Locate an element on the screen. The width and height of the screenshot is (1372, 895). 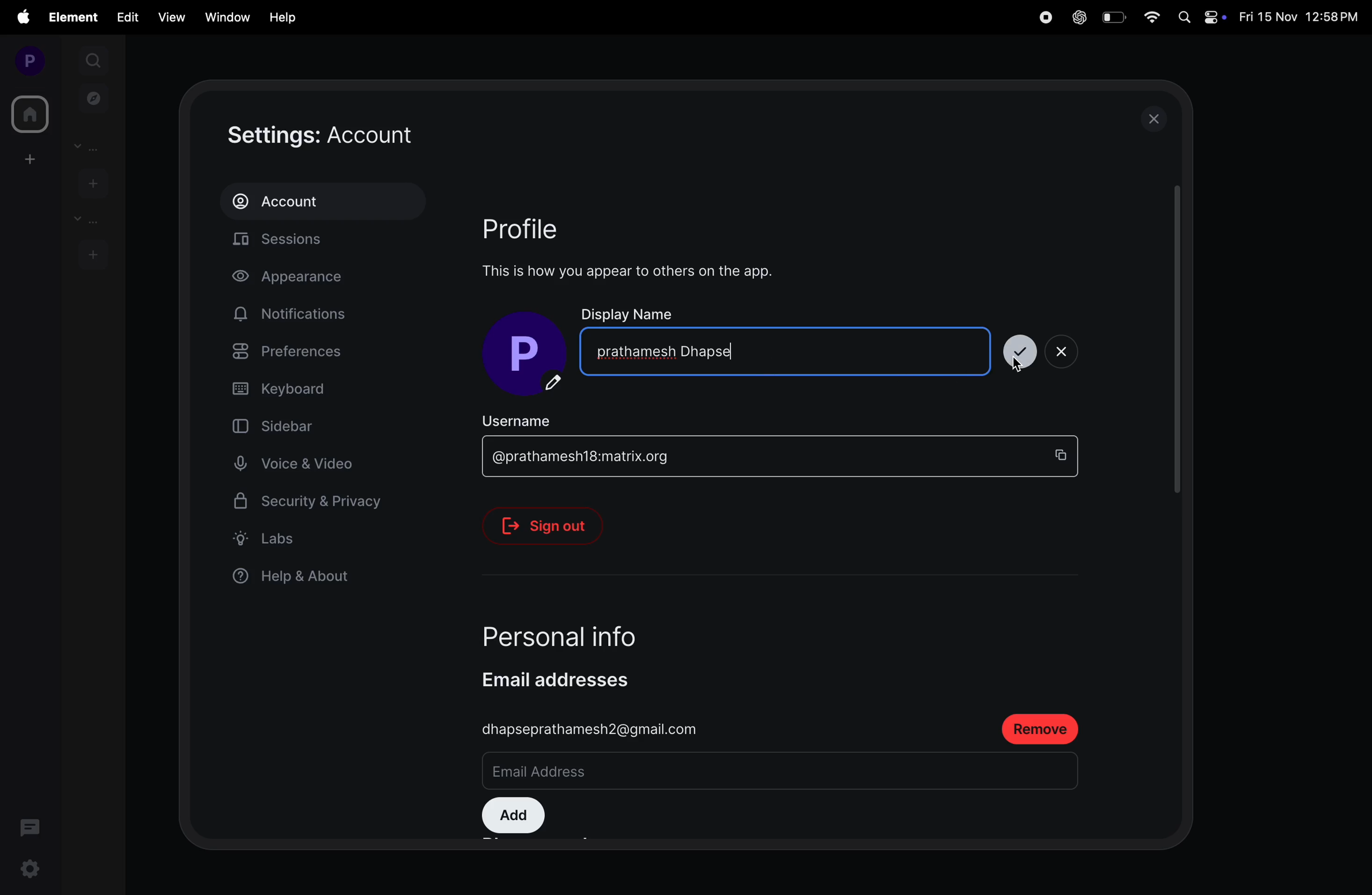
search1 is located at coordinates (95, 59).